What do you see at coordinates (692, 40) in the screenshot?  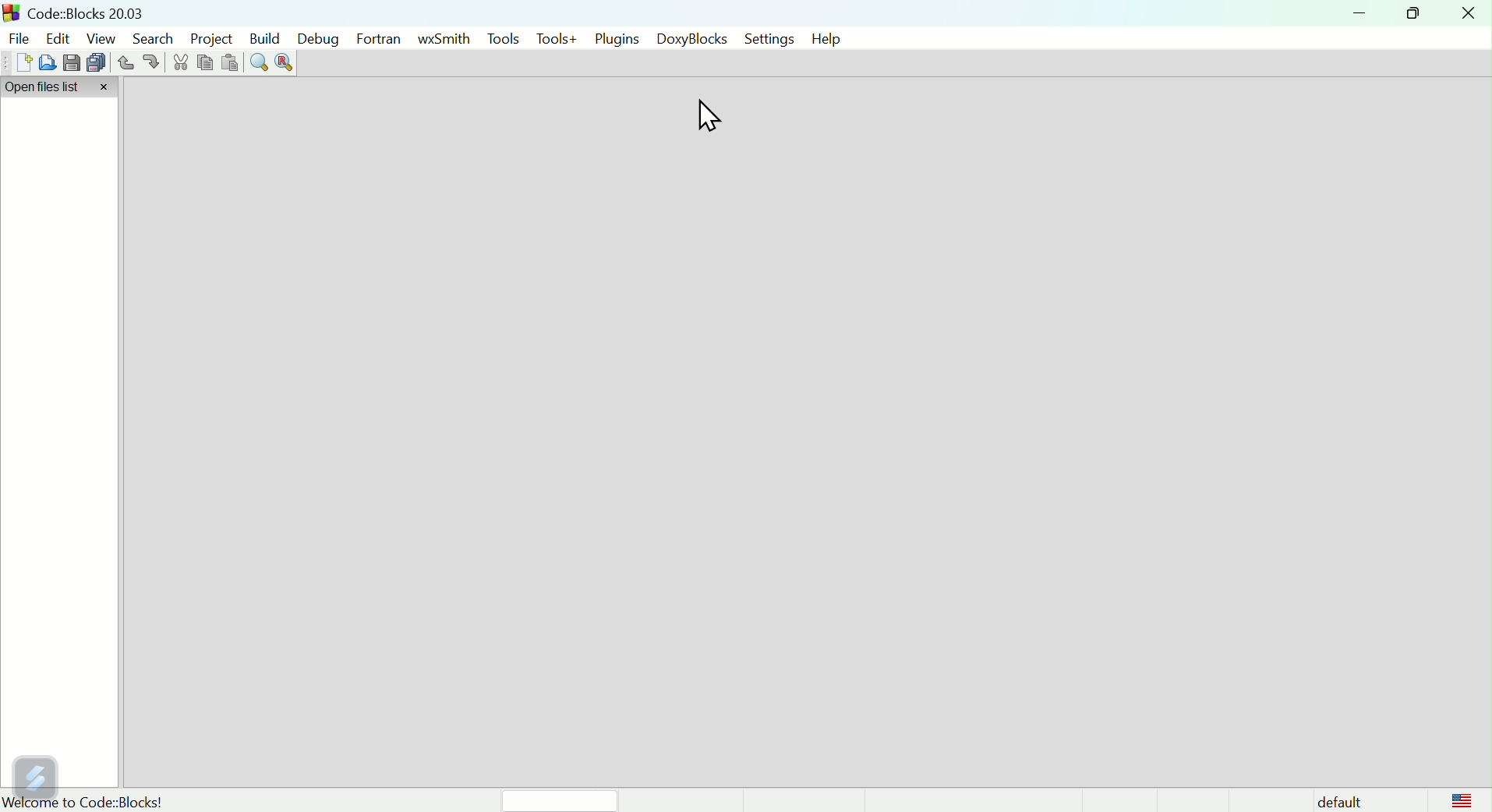 I see `doxyblocks` at bounding box center [692, 40].